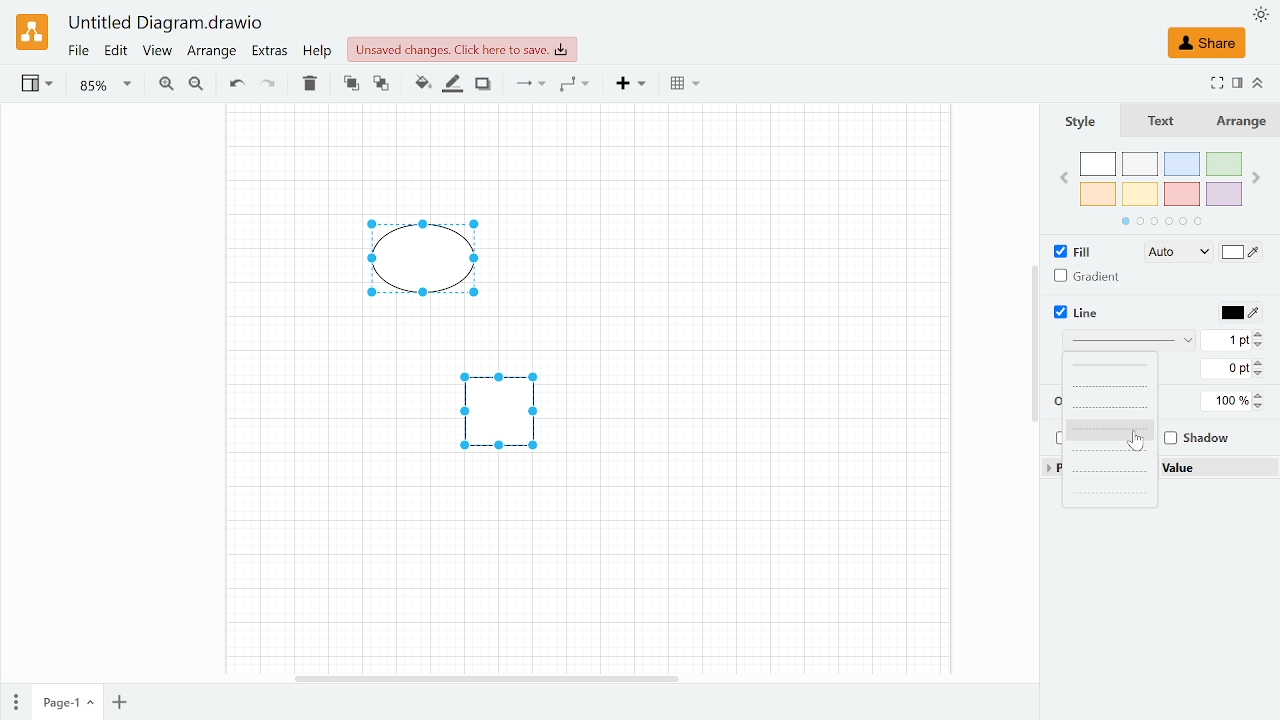 The image size is (1280, 720). I want to click on Decrease linewidth, so click(1261, 346).